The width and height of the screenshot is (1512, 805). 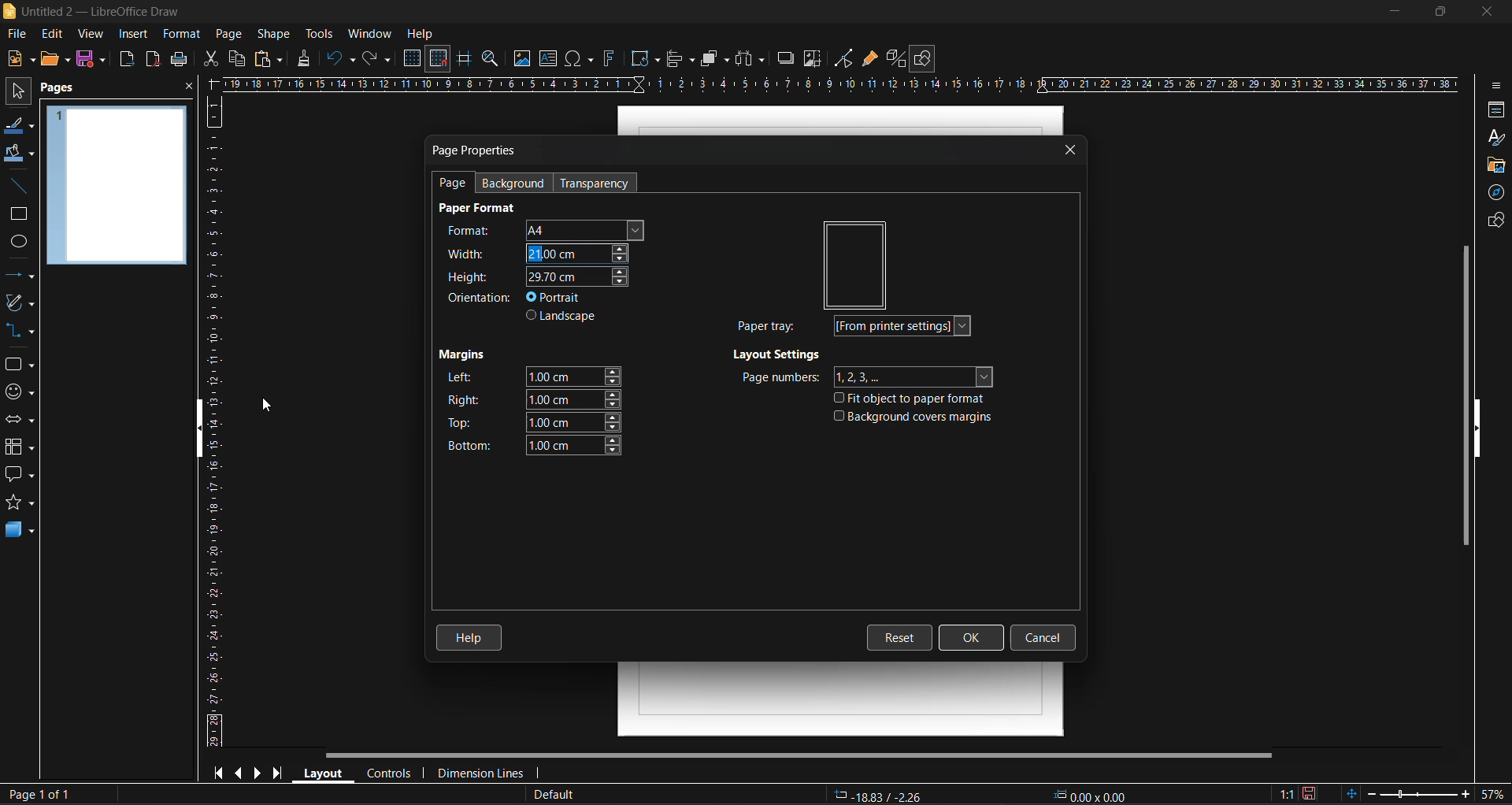 What do you see at coordinates (1284, 793) in the screenshot?
I see `scaling factor` at bounding box center [1284, 793].